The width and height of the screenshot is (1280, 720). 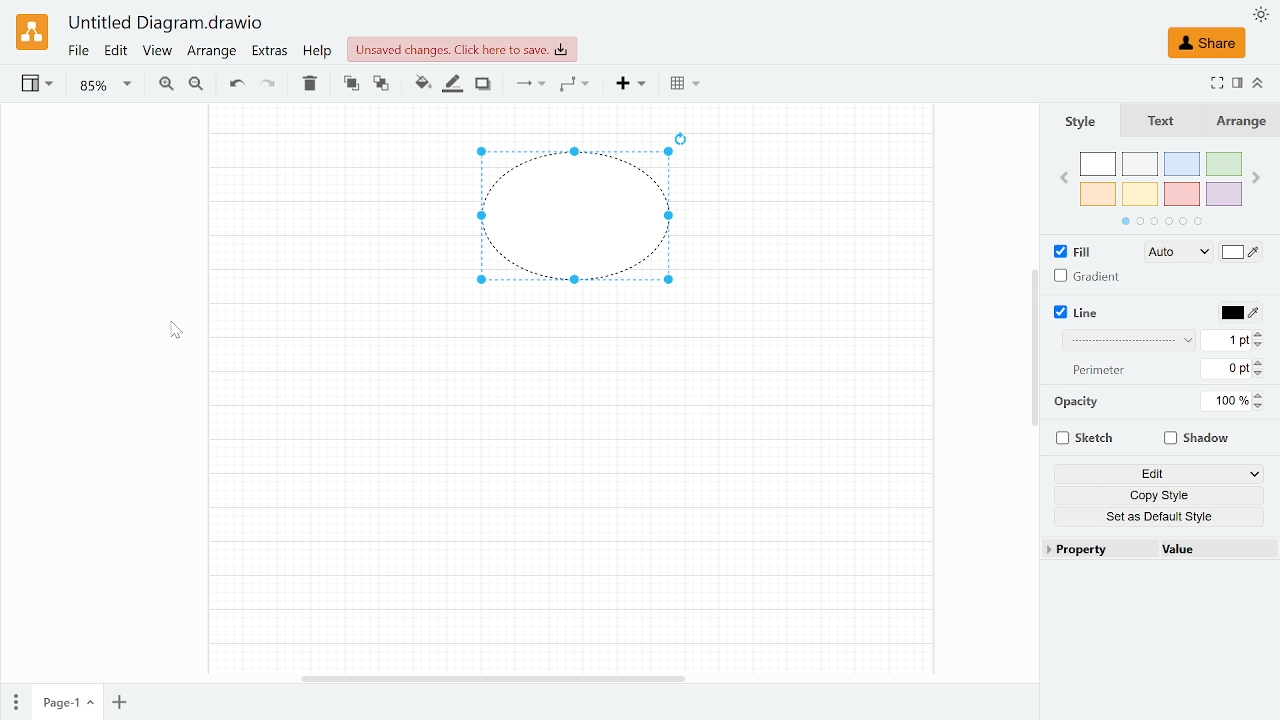 What do you see at coordinates (379, 85) in the screenshot?
I see `To back` at bounding box center [379, 85].